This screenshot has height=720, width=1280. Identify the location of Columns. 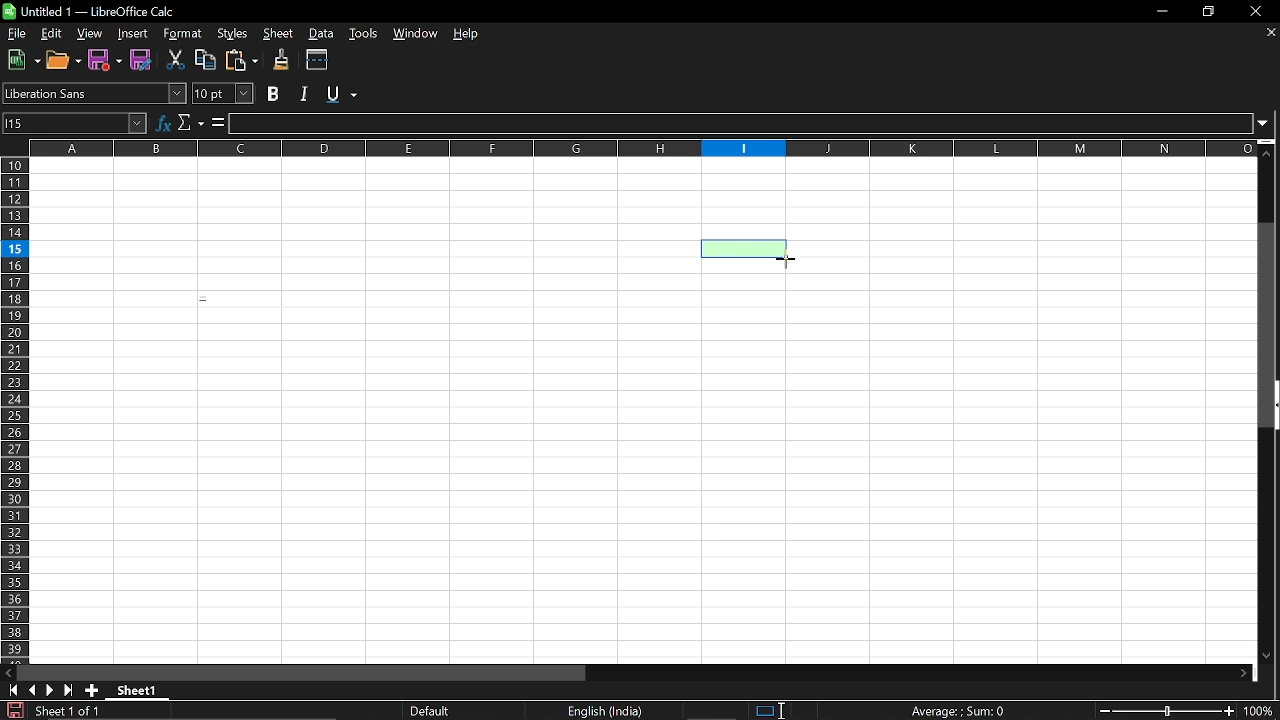
(642, 148).